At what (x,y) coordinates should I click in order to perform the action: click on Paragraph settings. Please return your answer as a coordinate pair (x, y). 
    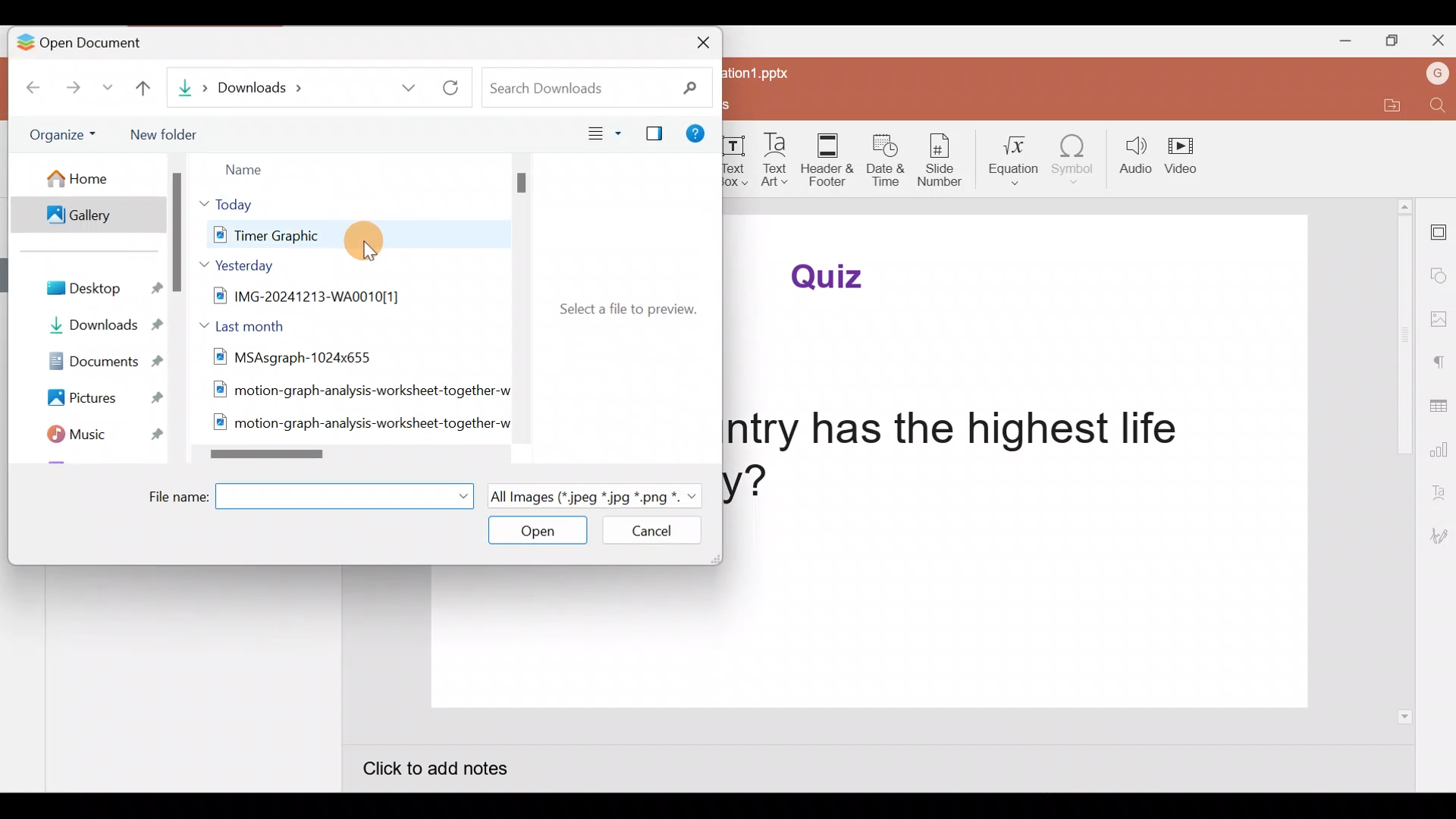
    Looking at the image, I should click on (1439, 362).